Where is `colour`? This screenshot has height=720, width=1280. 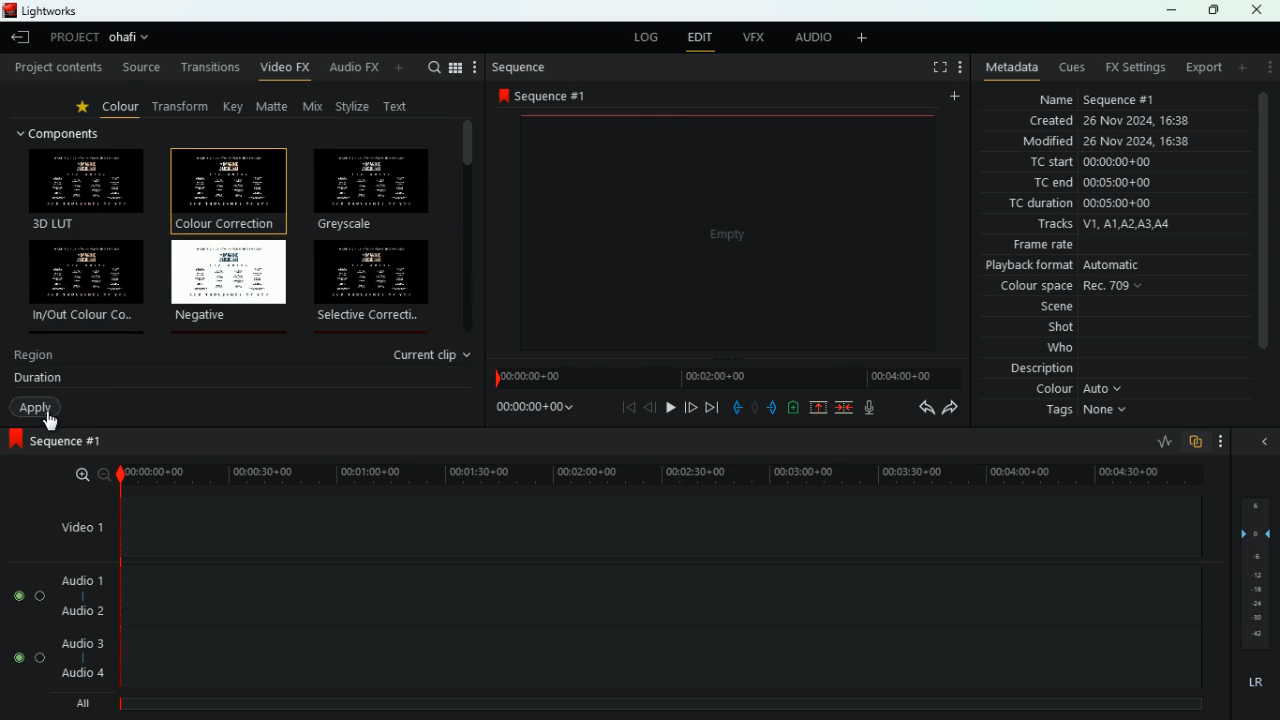 colour is located at coordinates (1083, 392).